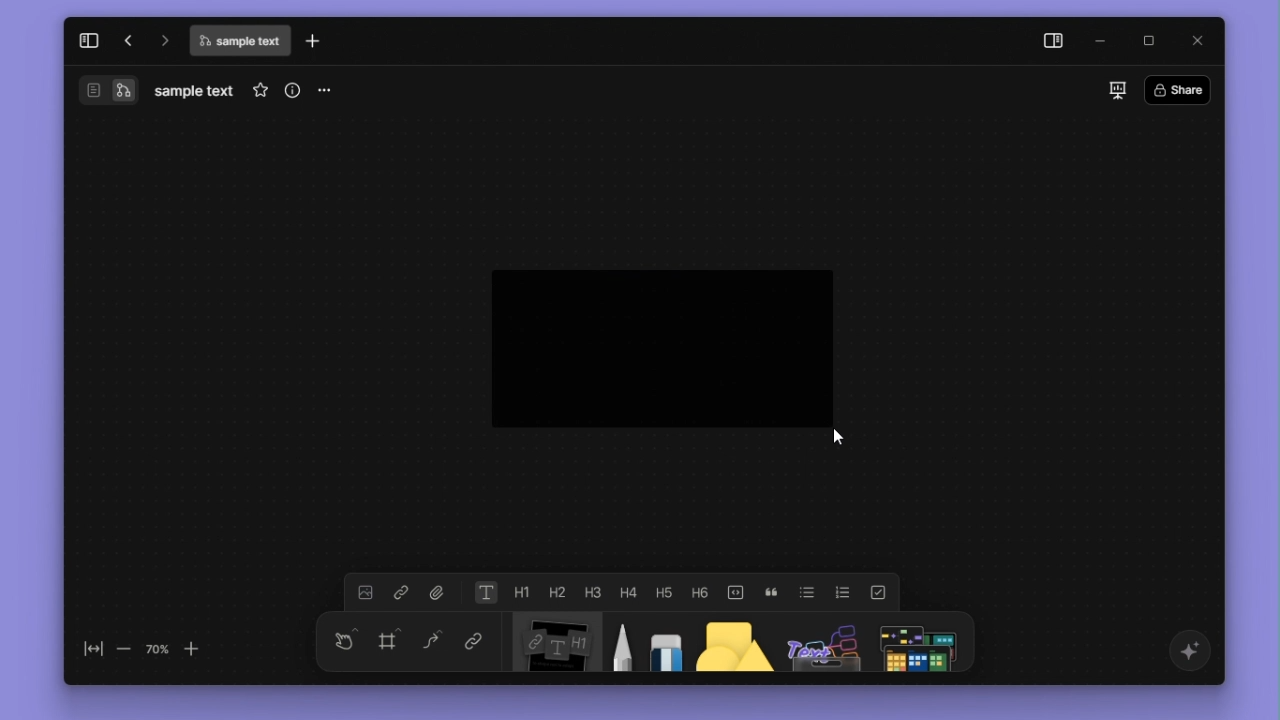 The height and width of the screenshot is (720, 1280). I want to click on cursor, so click(858, 442).